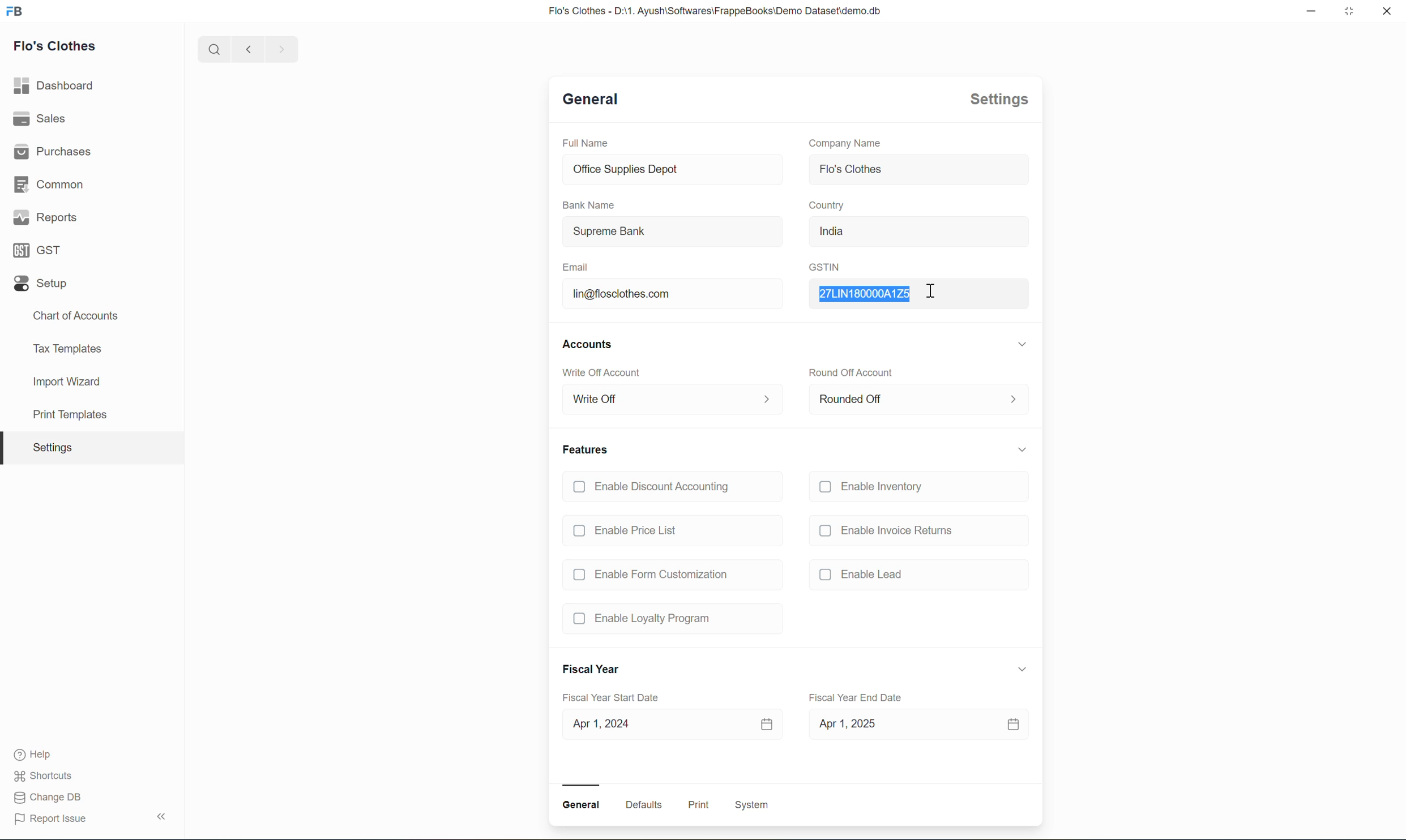 The height and width of the screenshot is (840, 1406). I want to click on System, so click(750, 804).